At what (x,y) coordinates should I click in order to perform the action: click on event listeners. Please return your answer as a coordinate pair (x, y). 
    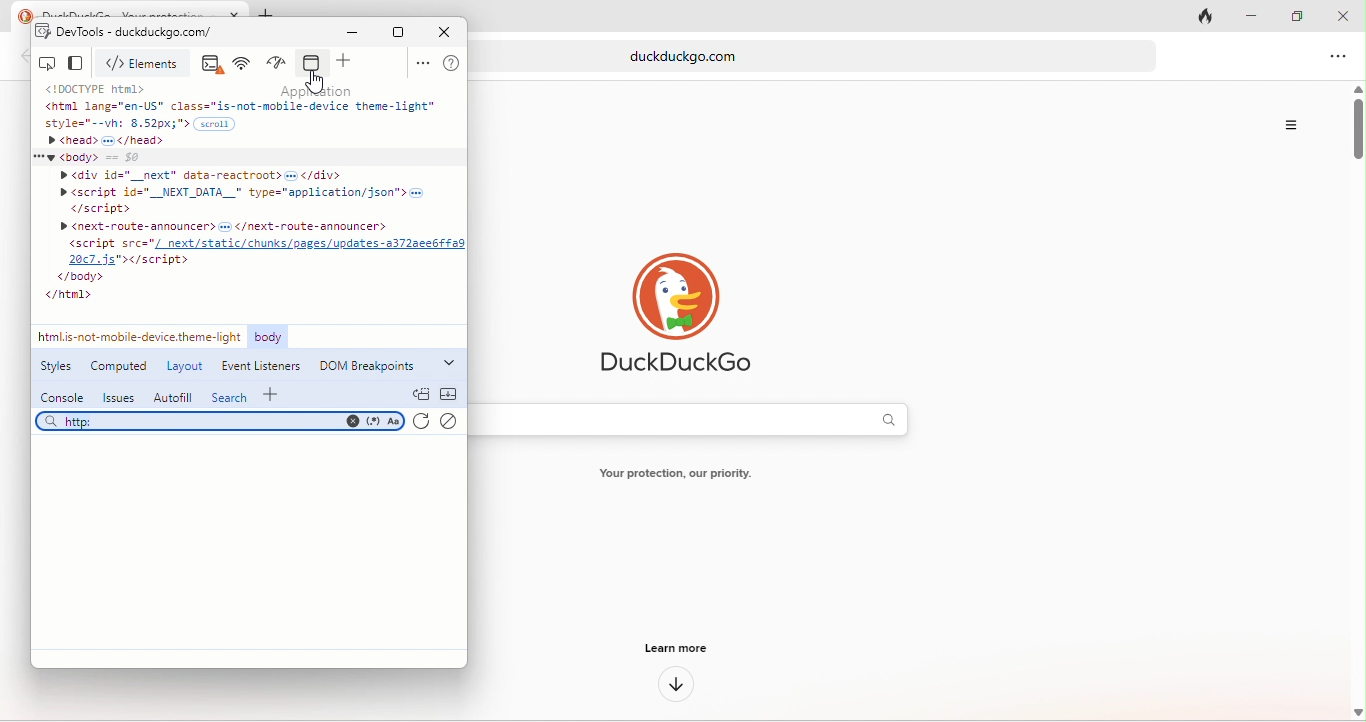
    Looking at the image, I should click on (260, 367).